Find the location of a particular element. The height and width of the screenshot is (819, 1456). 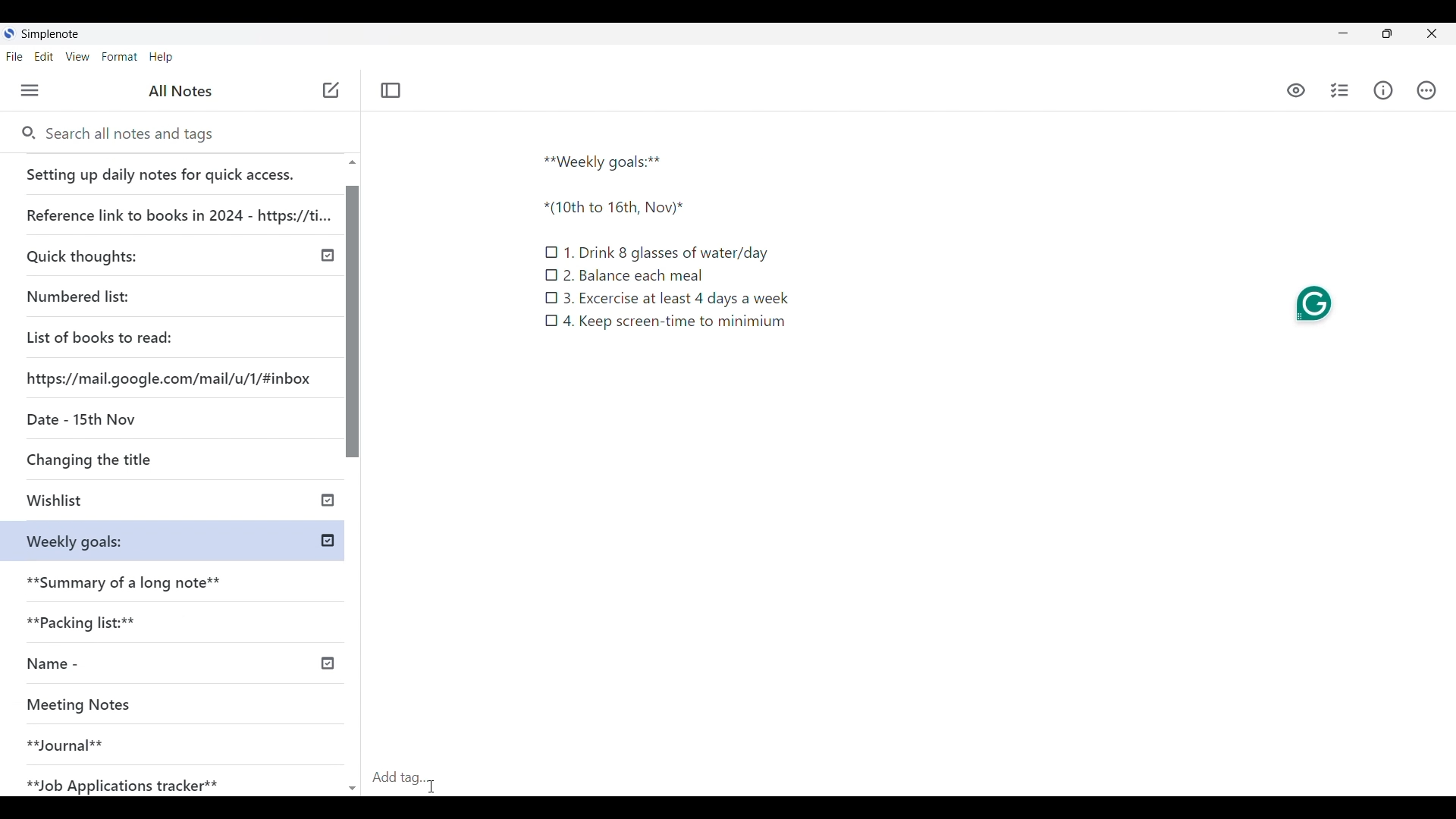

Info is located at coordinates (1382, 91).